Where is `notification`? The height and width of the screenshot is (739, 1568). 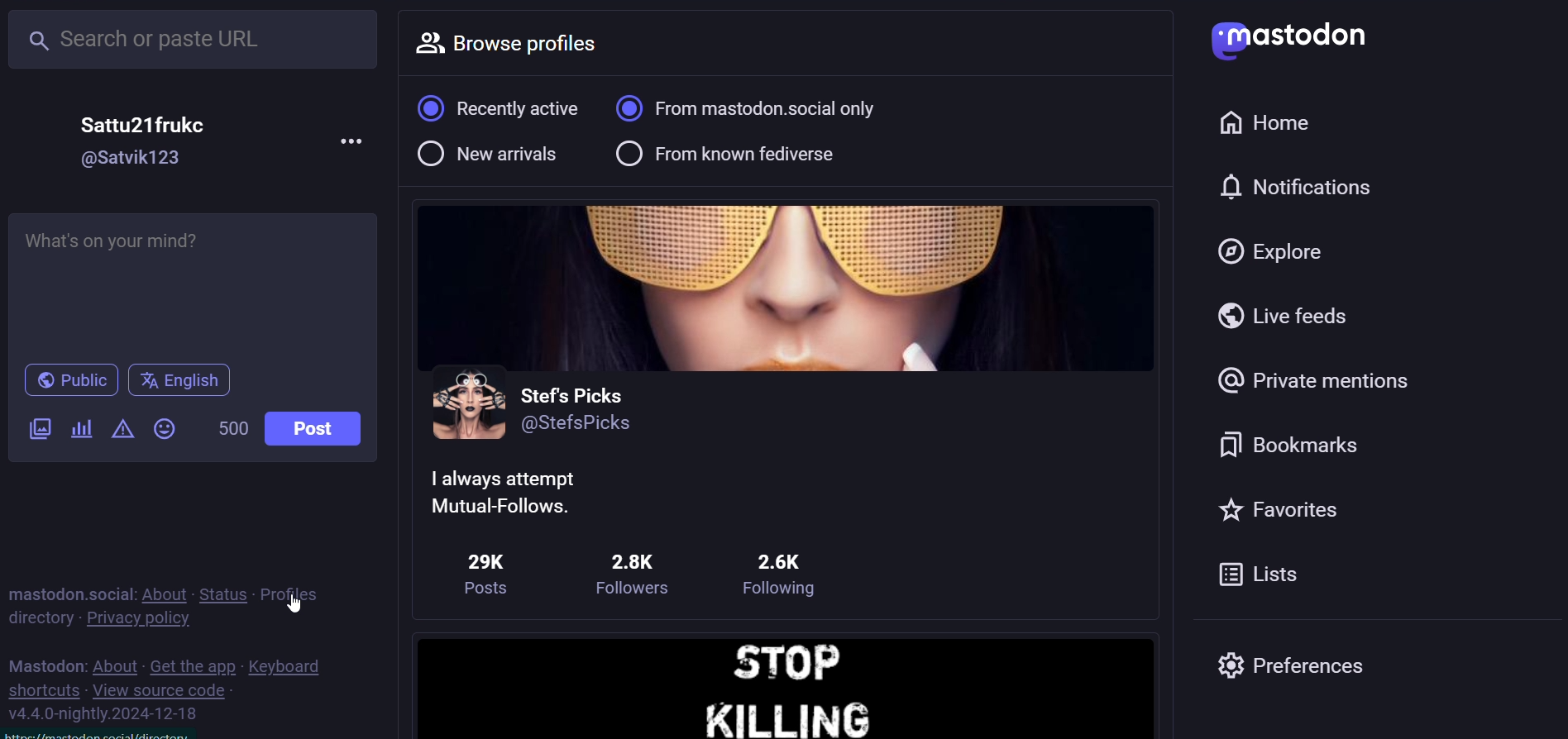
notification is located at coordinates (1308, 183).